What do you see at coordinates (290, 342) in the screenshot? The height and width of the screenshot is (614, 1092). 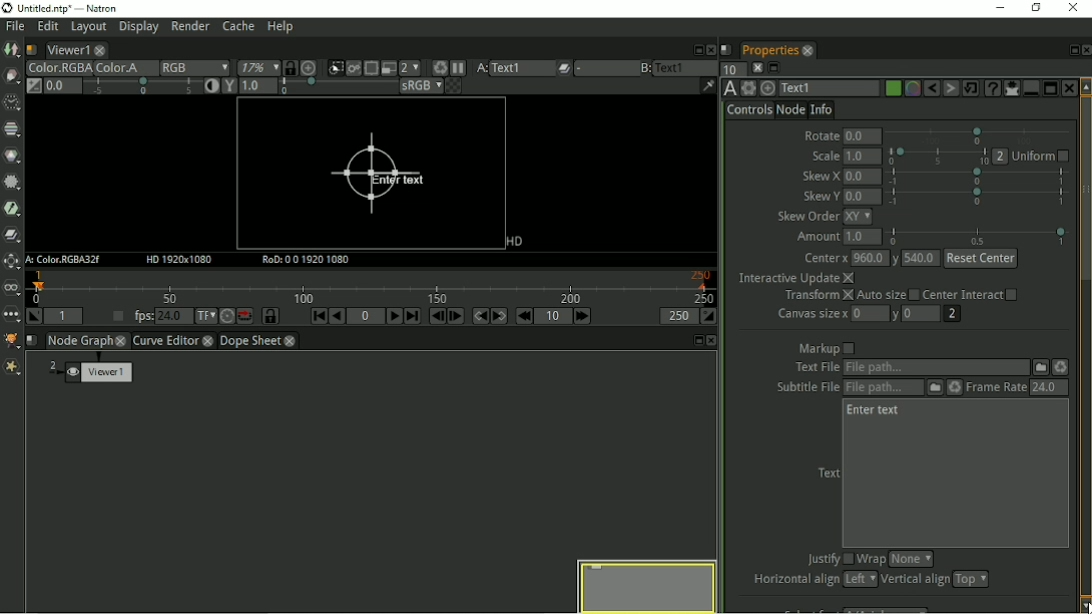 I see `close` at bounding box center [290, 342].